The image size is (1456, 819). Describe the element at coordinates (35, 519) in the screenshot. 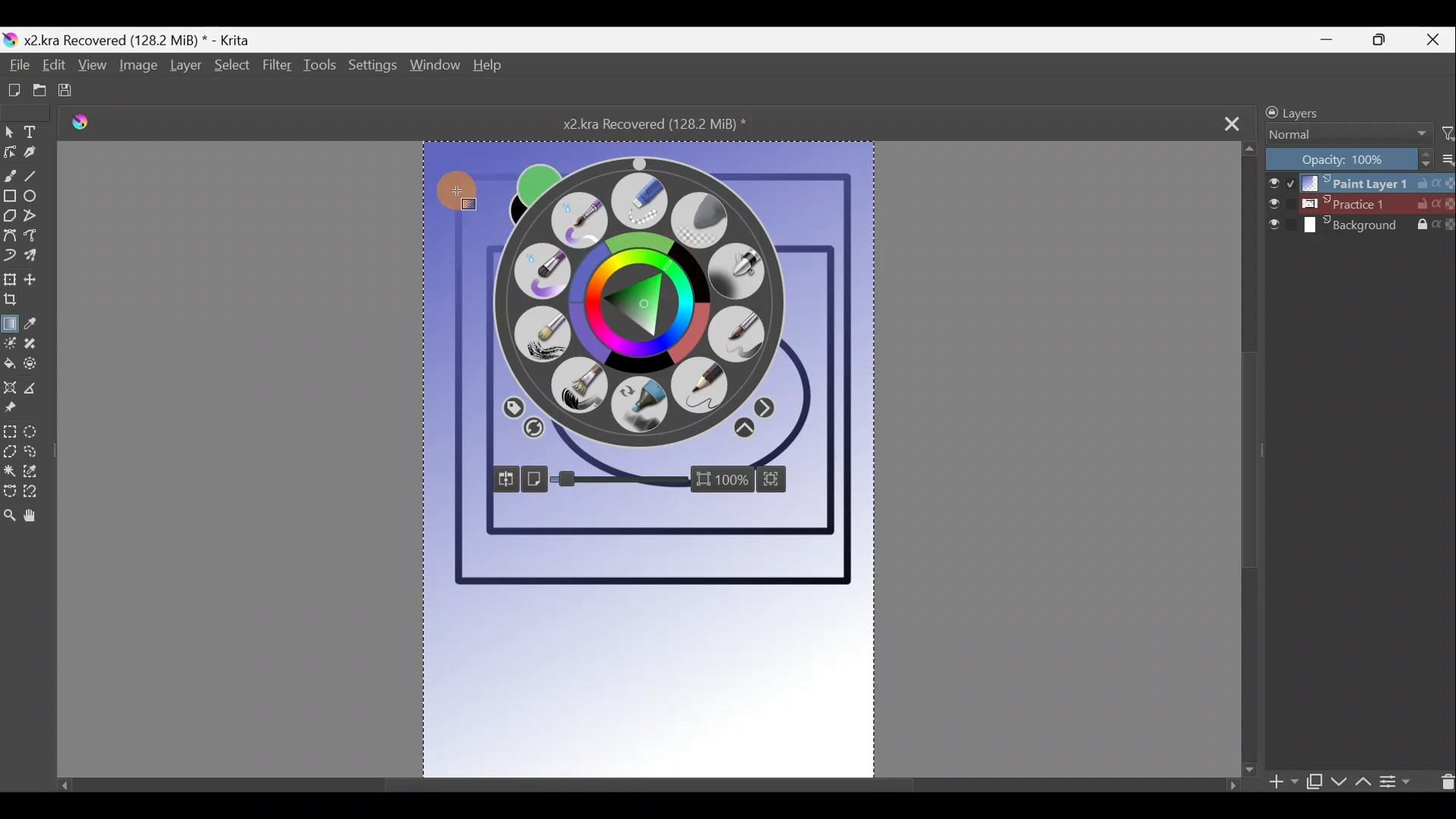

I see `Pan tool` at that location.